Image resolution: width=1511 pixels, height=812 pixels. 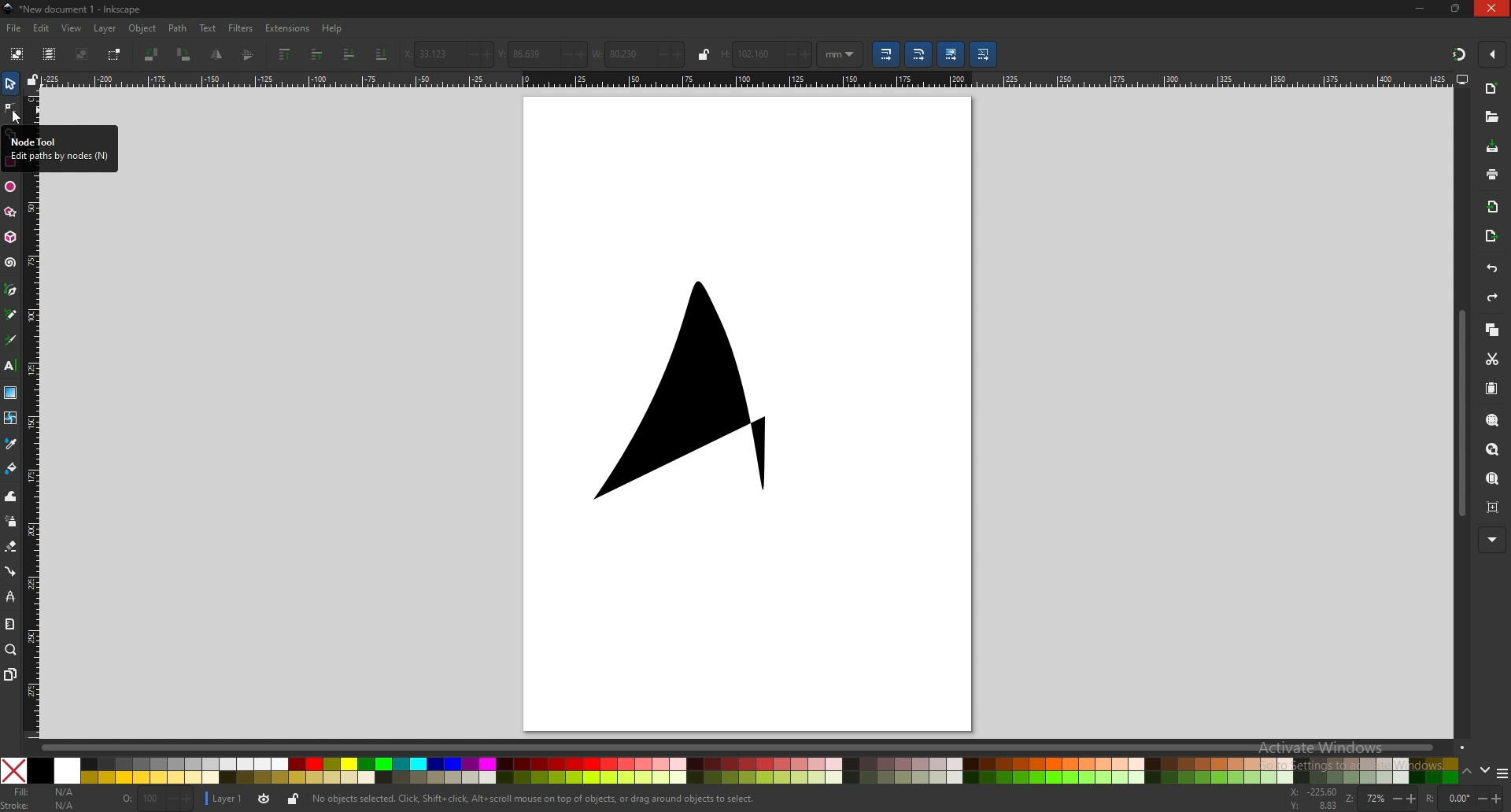 I want to click on lowerselection one step, so click(x=348, y=54).